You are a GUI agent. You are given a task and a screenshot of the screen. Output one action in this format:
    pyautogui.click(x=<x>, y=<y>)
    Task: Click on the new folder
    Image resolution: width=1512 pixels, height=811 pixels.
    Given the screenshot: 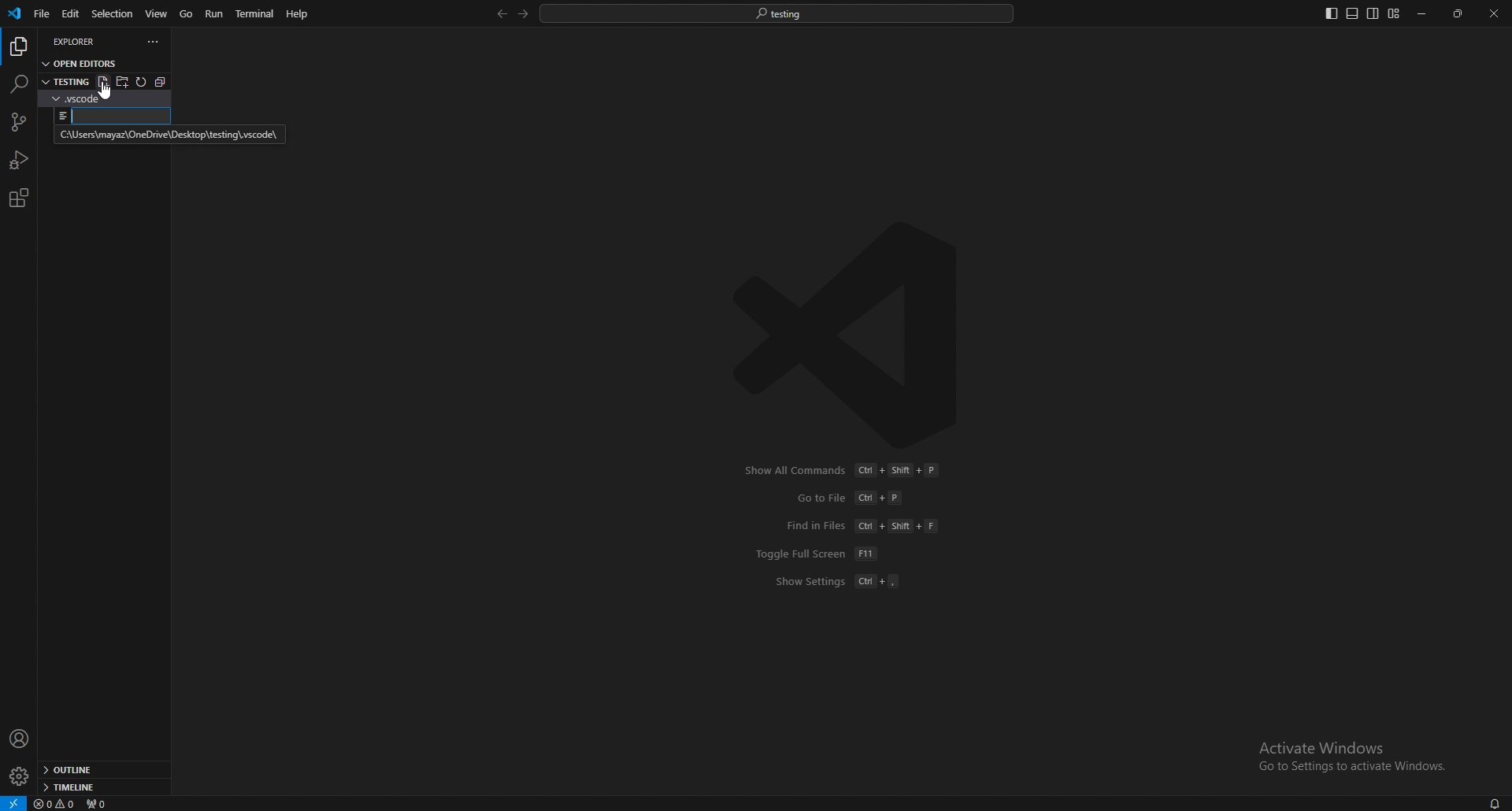 What is the action you would take?
    pyautogui.click(x=123, y=81)
    